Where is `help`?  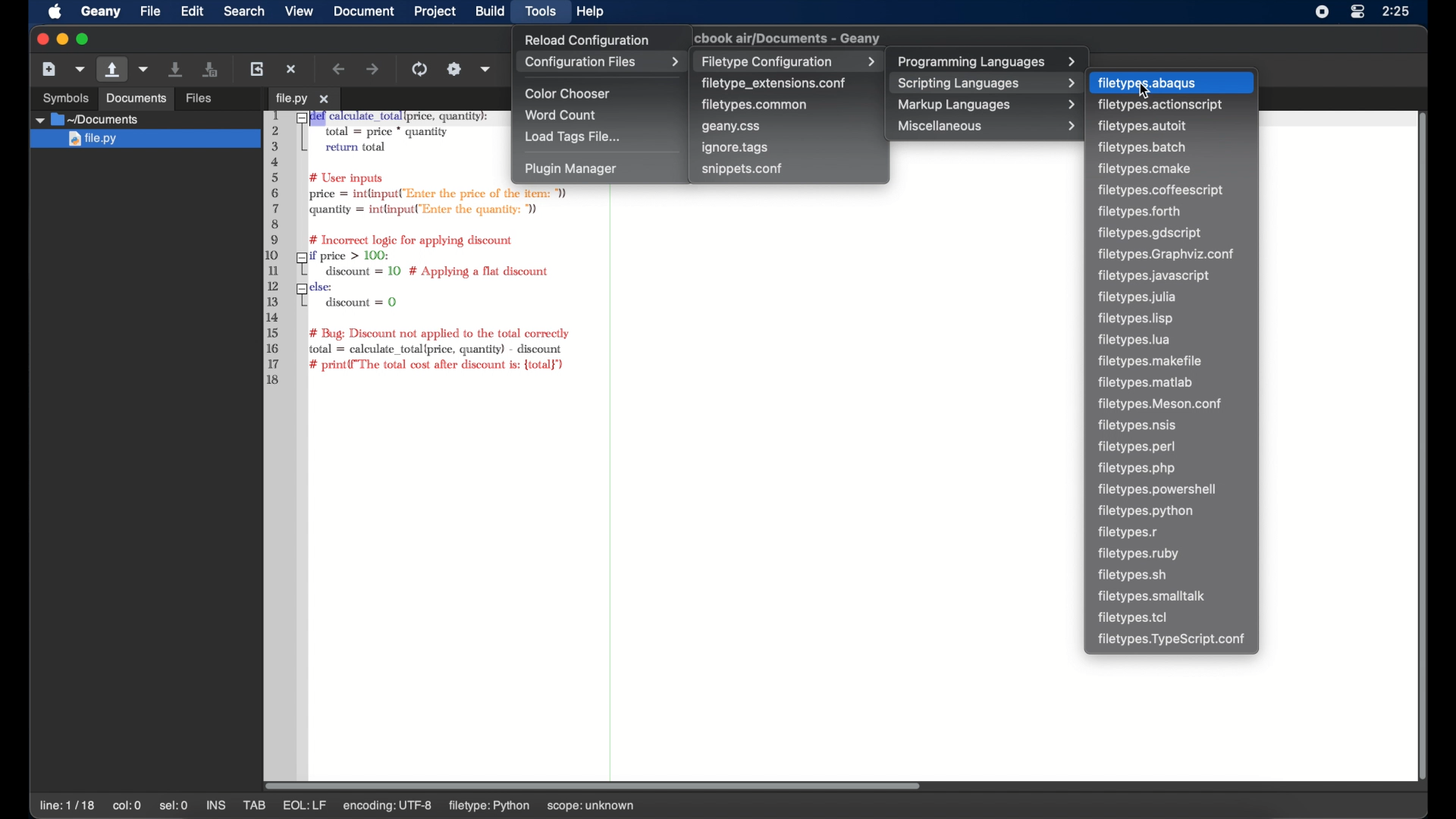 help is located at coordinates (591, 11).